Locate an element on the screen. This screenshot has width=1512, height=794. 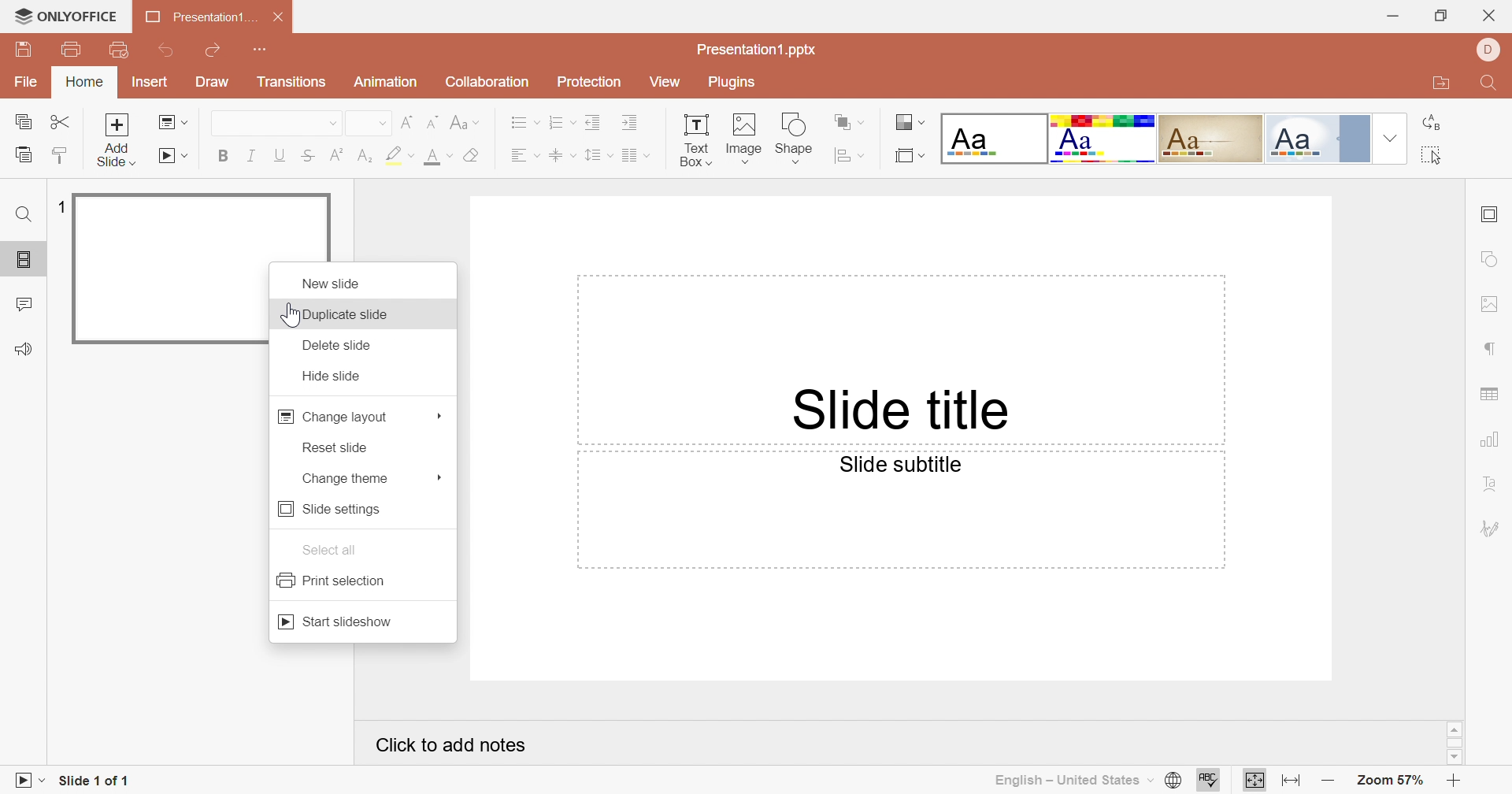
Change theme is located at coordinates (345, 477).